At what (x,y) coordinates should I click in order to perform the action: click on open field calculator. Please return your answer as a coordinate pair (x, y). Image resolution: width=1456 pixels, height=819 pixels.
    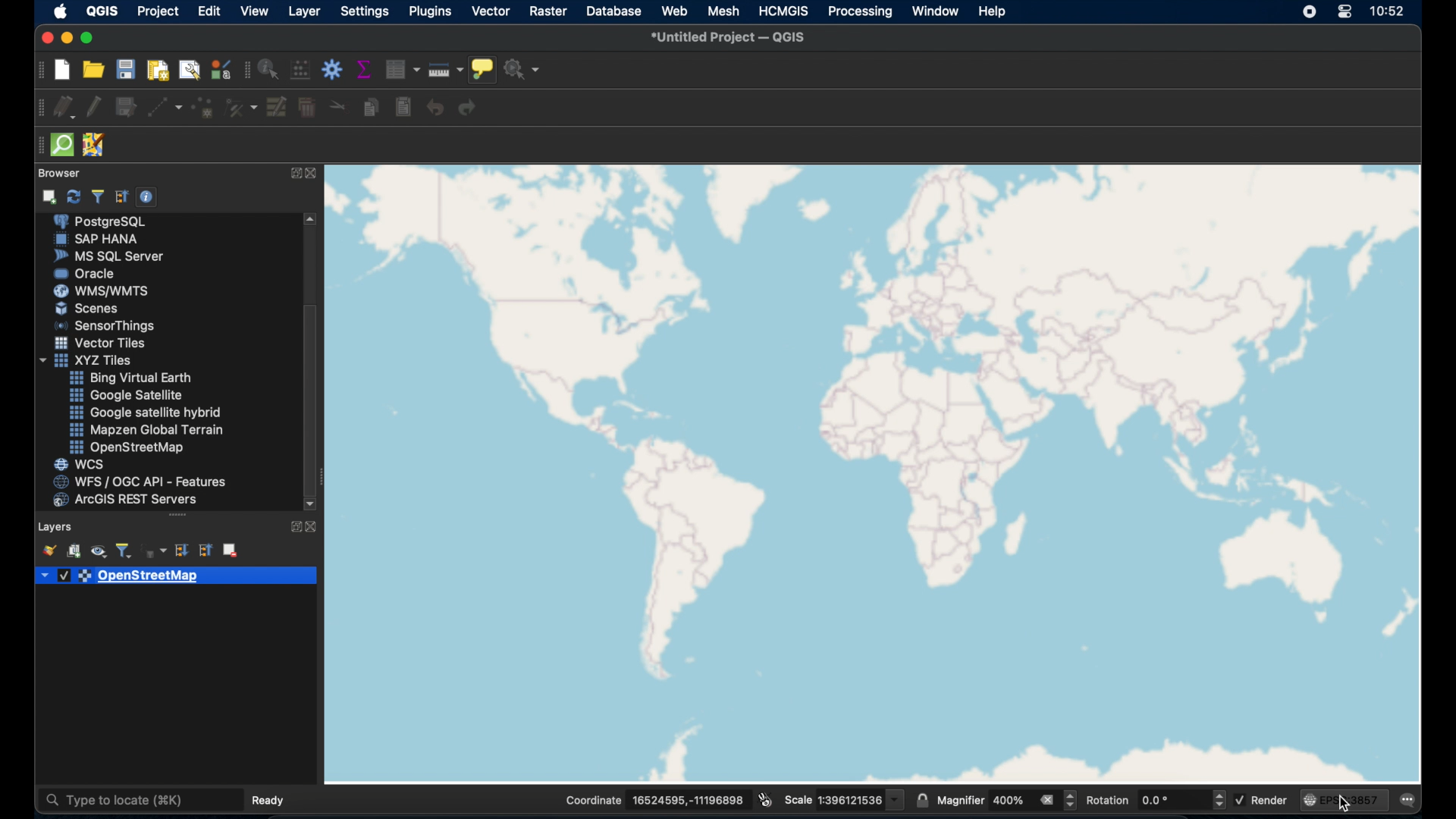
    Looking at the image, I should click on (298, 70).